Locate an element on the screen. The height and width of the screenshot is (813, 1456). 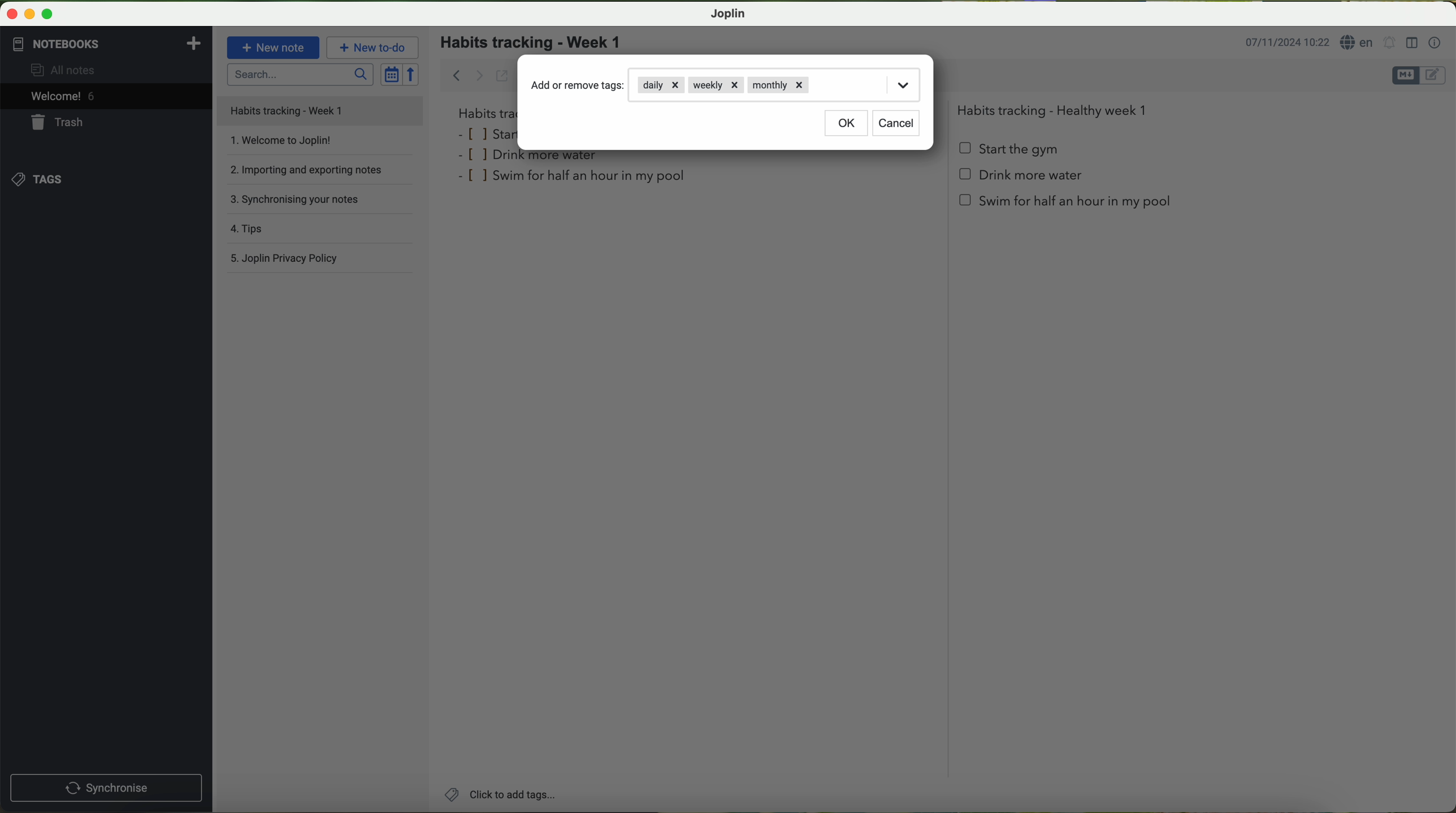
weekly is located at coordinates (715, 85).